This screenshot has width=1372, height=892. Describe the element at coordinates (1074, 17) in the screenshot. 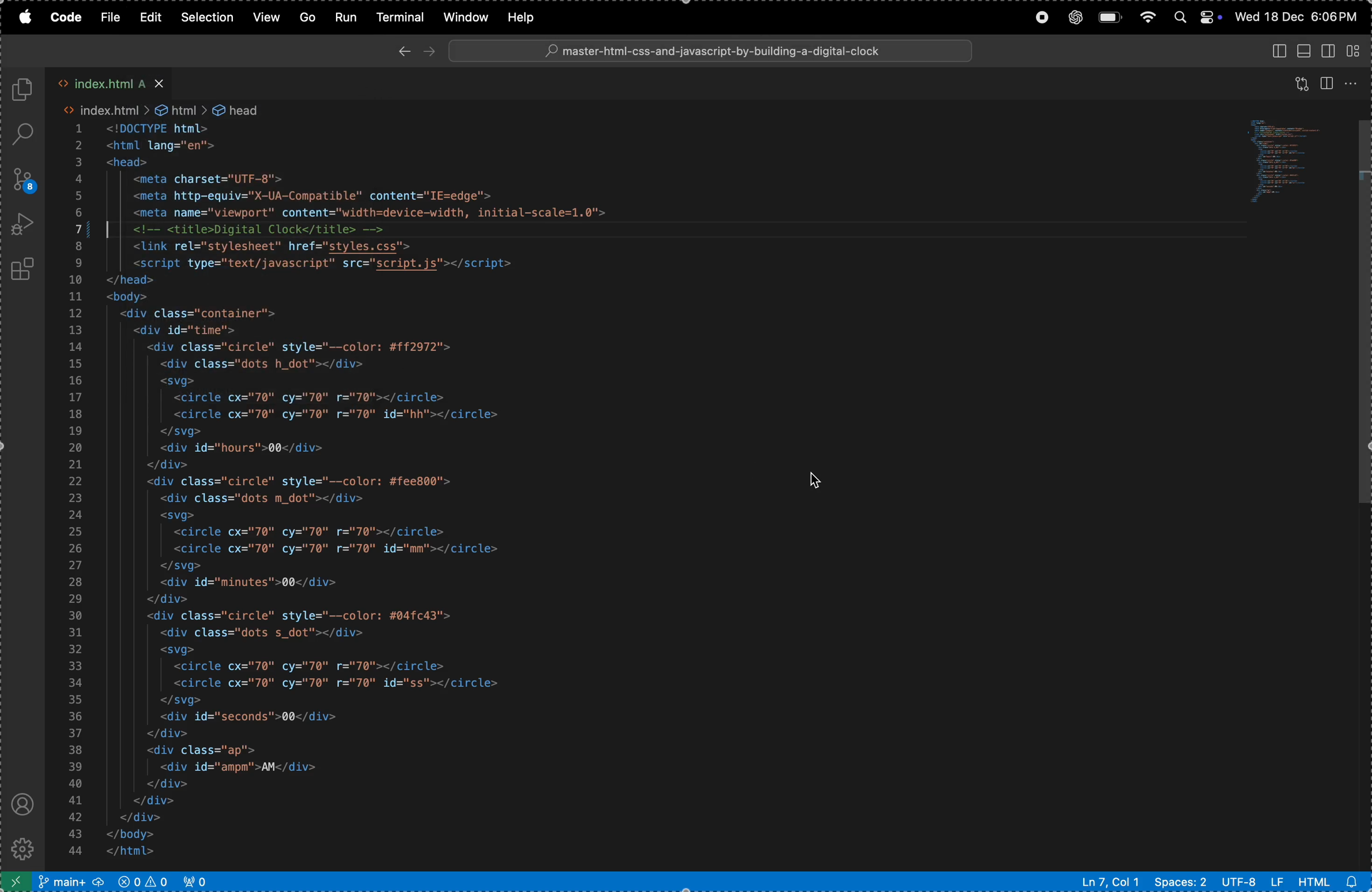

I see `chatgpt` at that location.